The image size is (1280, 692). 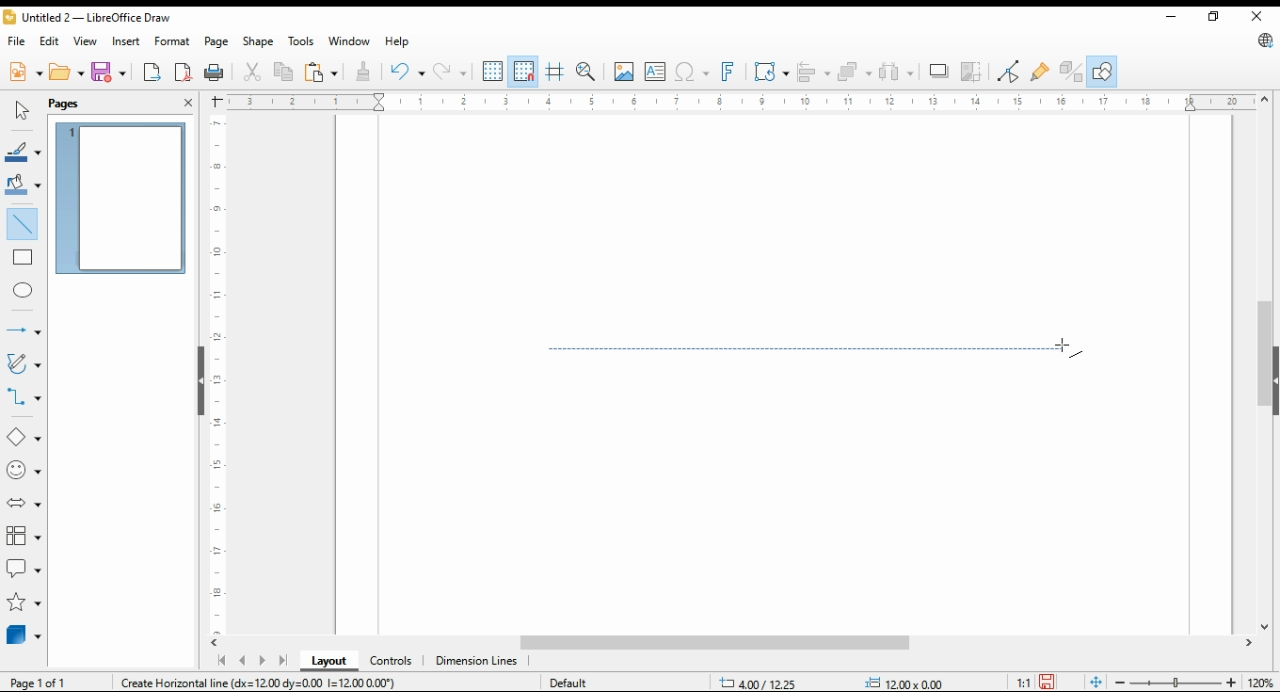 I want to click on mouse pointer, so click(x=1069, y=349).